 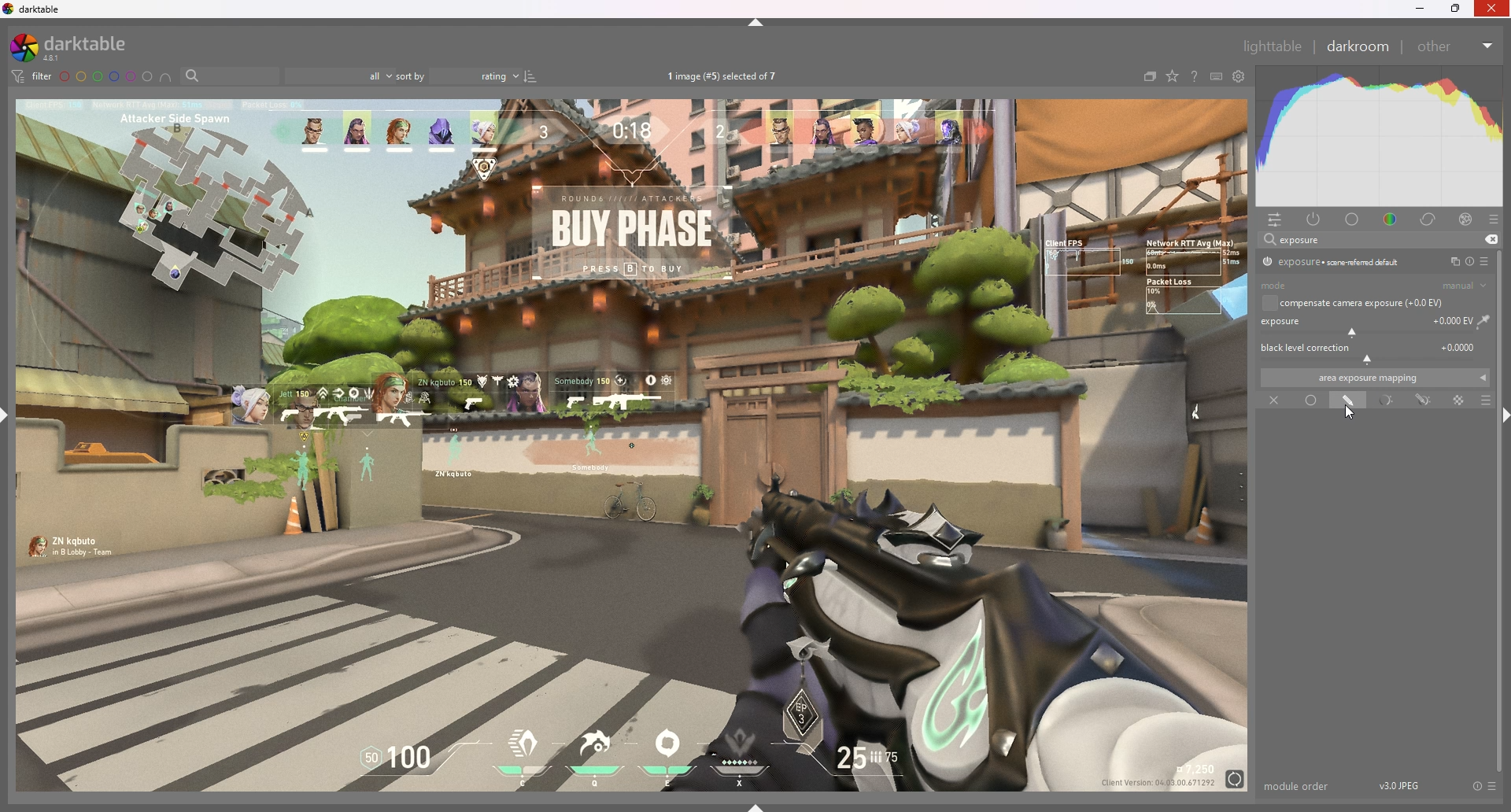 What do you see at coordinates (1493, 220) in the screenshot?
I see `presets` at bounding box center [1493, 220].